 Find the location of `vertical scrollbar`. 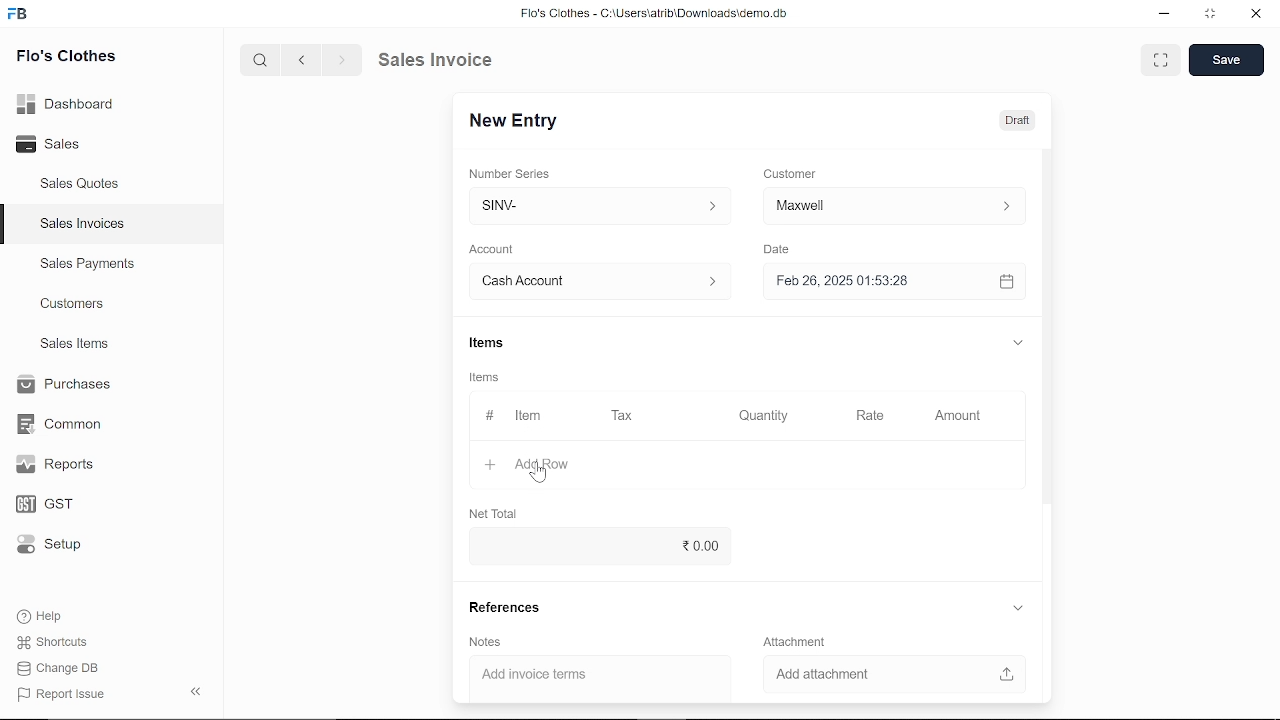

vertical scrollbar is located at coordinates (1048, 329).